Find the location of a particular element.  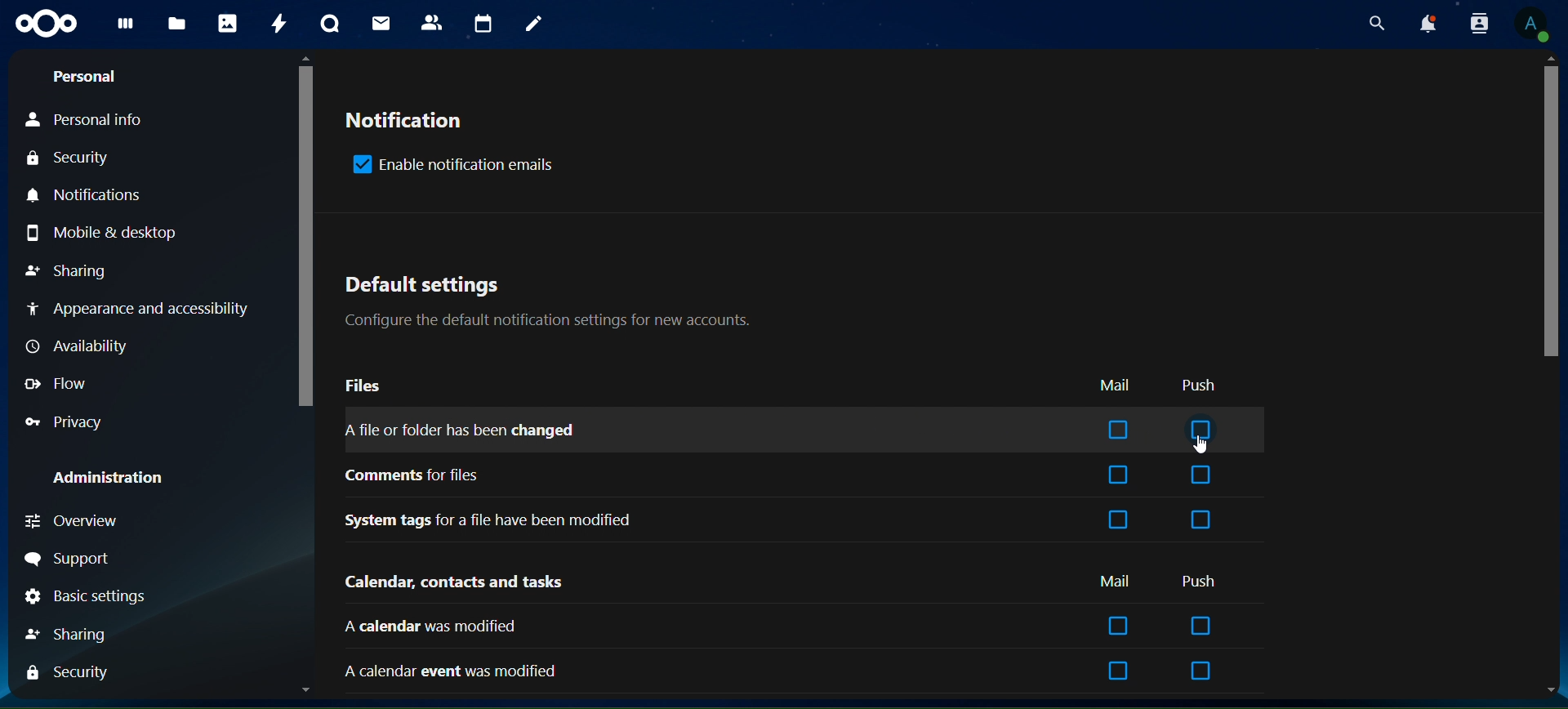

box is located at coordinates (1200, 625).